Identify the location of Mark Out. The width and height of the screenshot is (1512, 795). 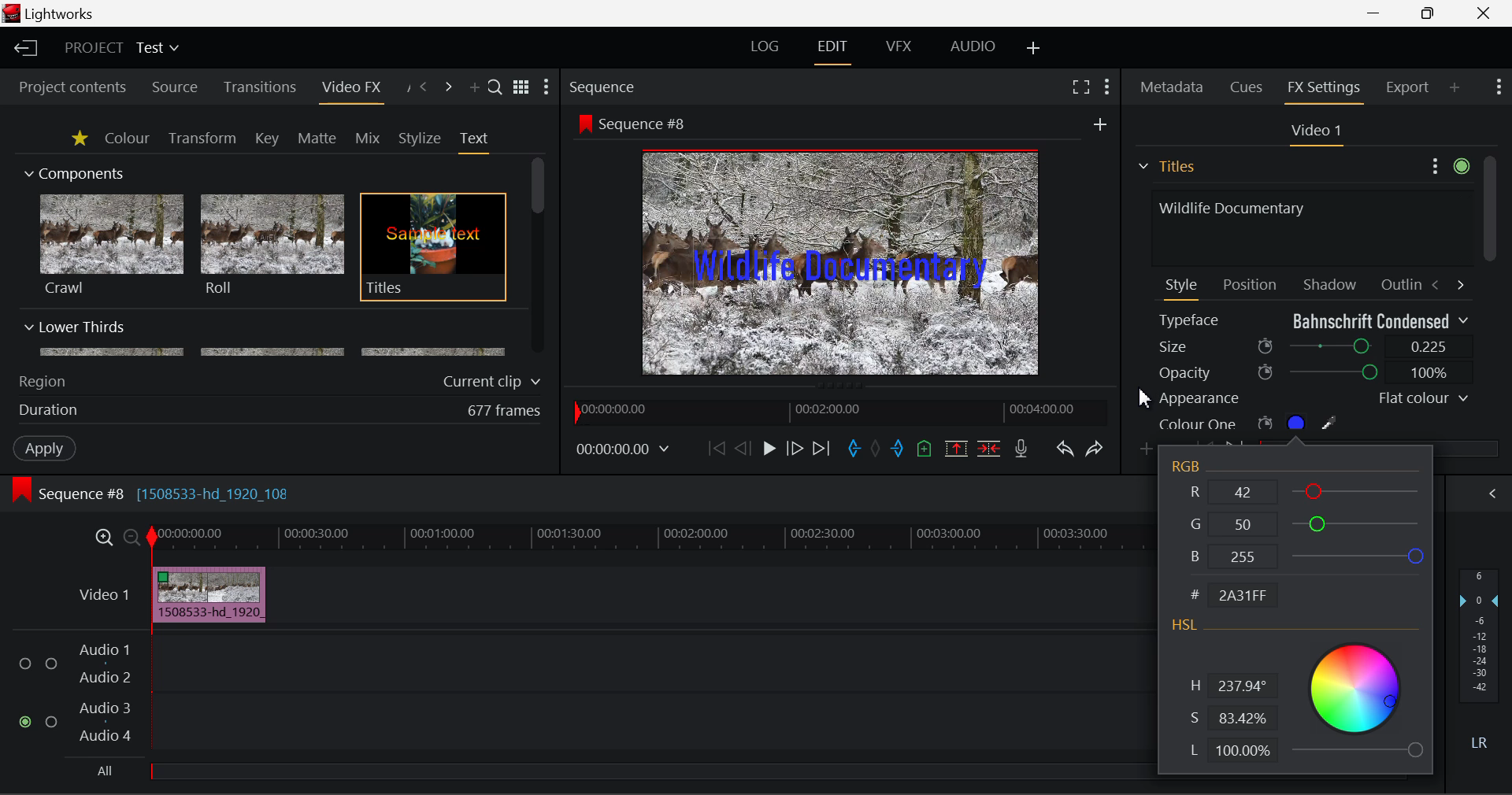
(899, 450).